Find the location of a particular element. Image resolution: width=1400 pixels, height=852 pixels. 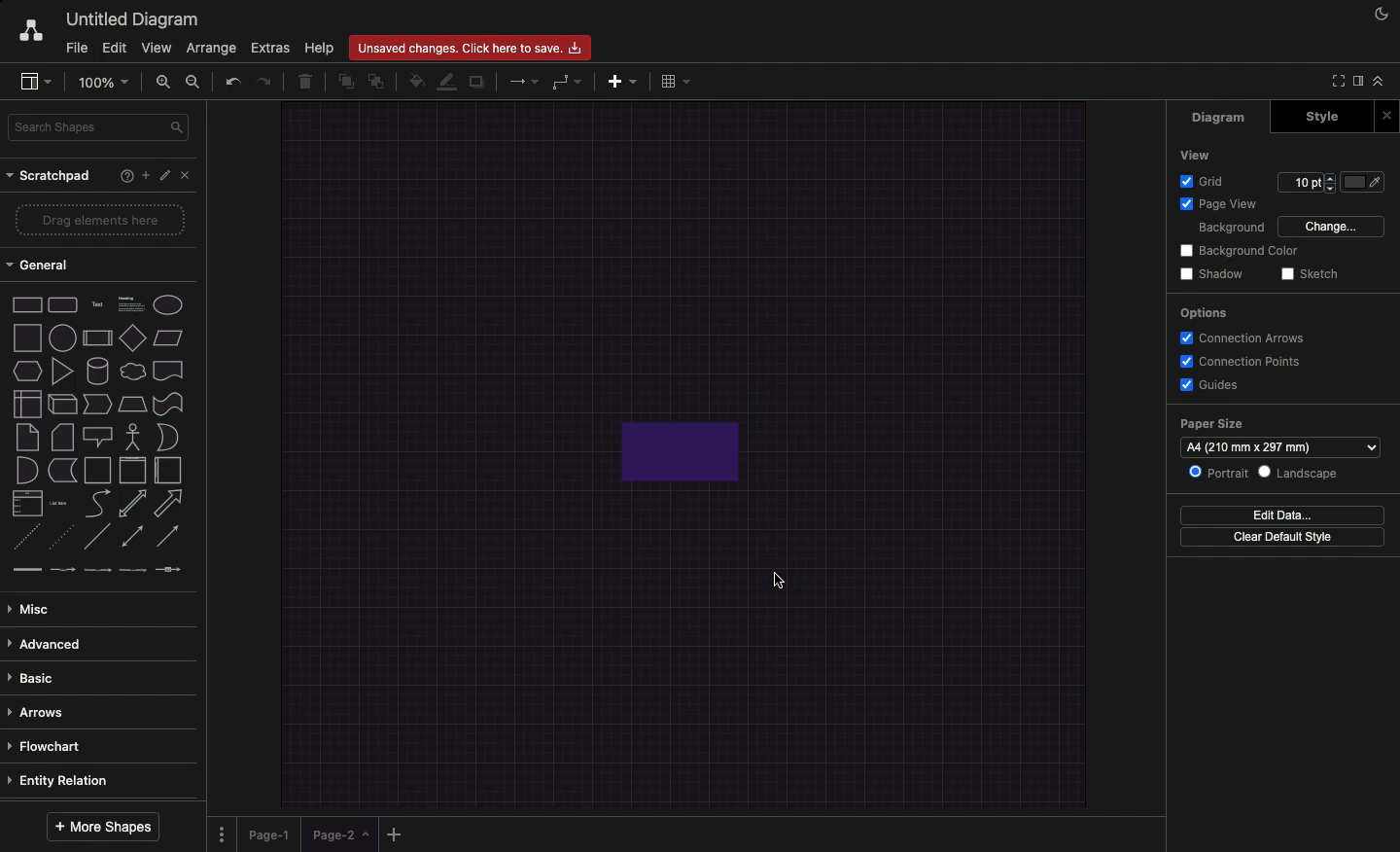

Sketch is located at coordinates (1310, 274).